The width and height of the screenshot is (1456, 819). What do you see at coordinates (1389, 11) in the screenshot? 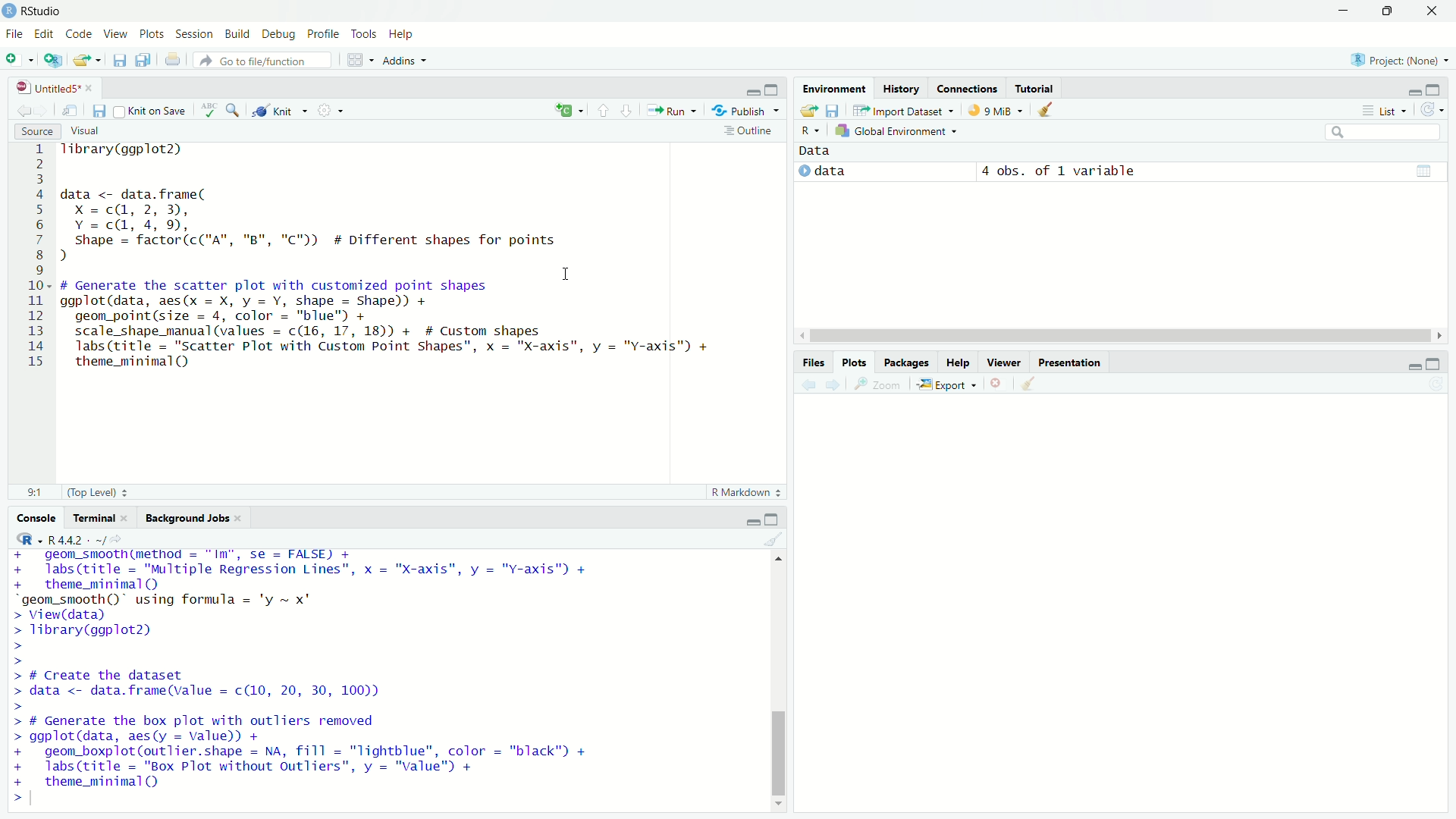
I see `restore` at bounding box center [1389, 11].